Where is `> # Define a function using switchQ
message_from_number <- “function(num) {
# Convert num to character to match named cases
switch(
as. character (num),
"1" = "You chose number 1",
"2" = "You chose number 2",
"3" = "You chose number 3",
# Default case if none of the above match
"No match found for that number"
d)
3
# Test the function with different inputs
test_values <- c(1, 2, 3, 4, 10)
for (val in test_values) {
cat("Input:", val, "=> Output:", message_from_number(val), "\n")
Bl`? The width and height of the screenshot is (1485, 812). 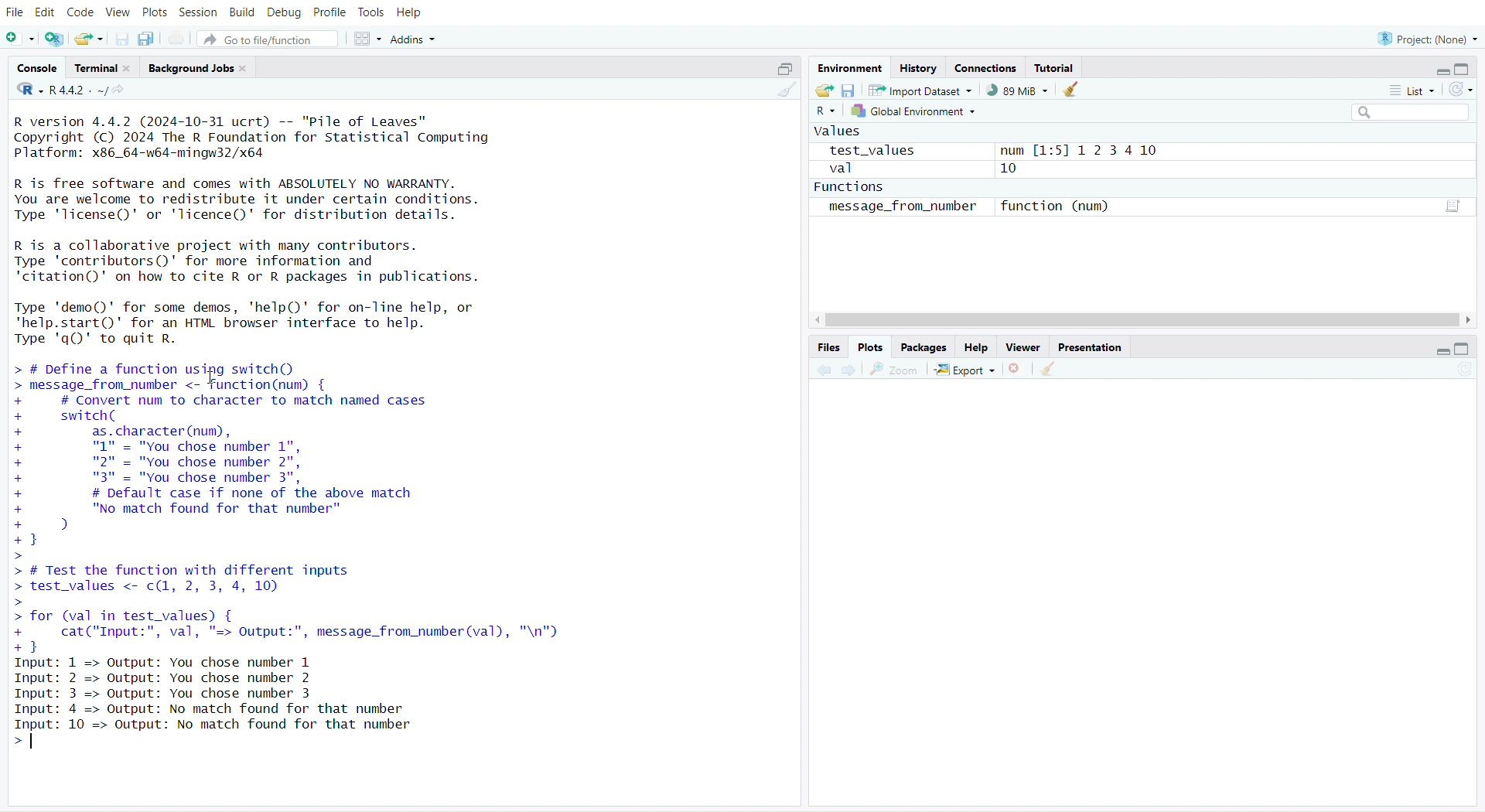 > # Define a function using switchQ
message_from_number <- “function(num) {
# Convert num to character to match named cases
switch(
as. character (num),
"1" = "You chose number 1",
"2" = "You chose number 2",
"3" = "You chose number 3",
# Default case if none of the above match
"No match found for that number"
d)
3
# Test the function with different inputs
test_values <- c(1, 2, 3, 4, 10)
for (val in test_values) {
cat("Input:", val, "=> Output:", message_from_number(val), "\n")
Bl is located at coordinates (394, 507).